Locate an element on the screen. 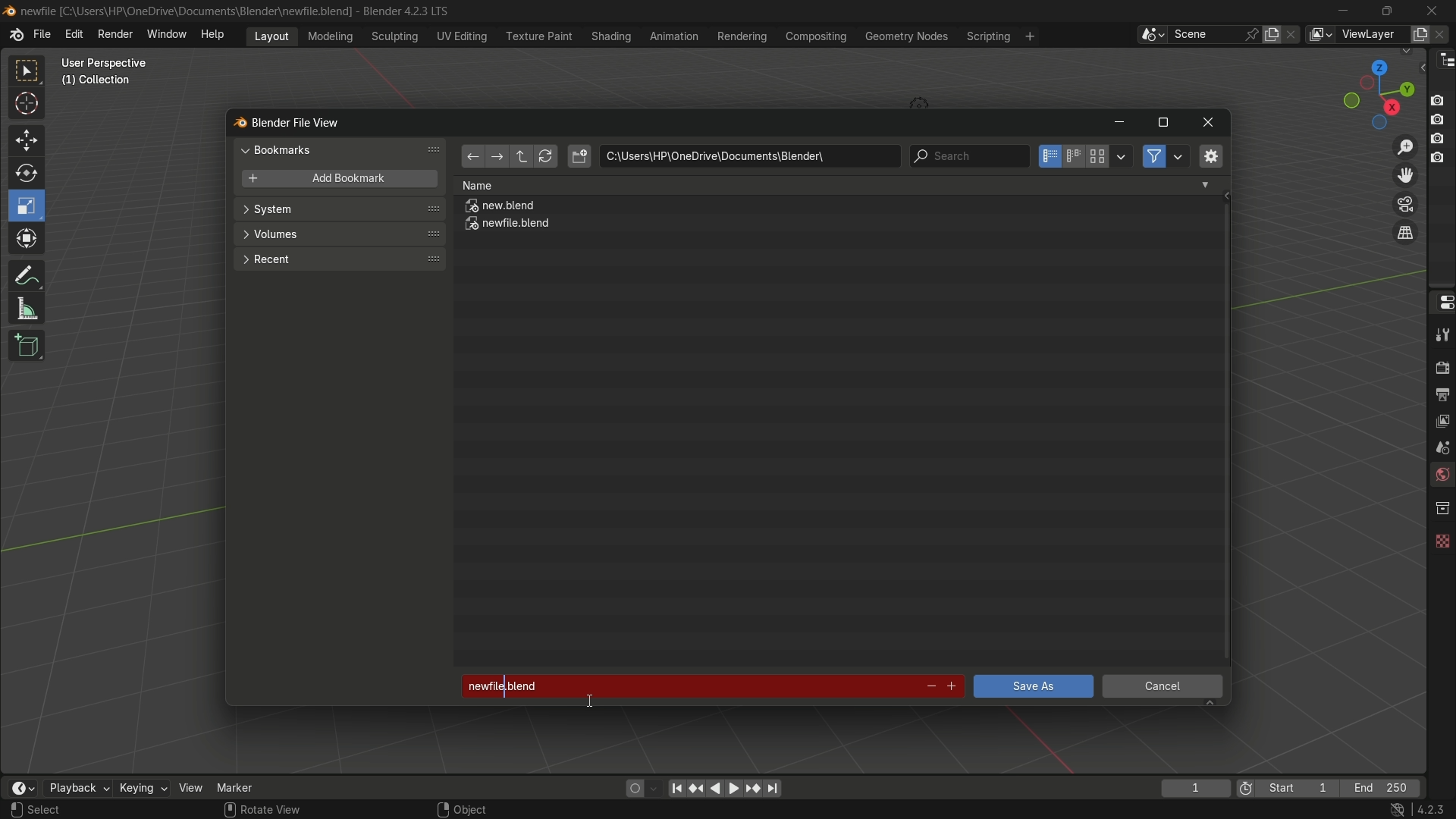 This screenshot has width=1456, height=819. toggle camera view layer is located at coordinates (1405, 202).